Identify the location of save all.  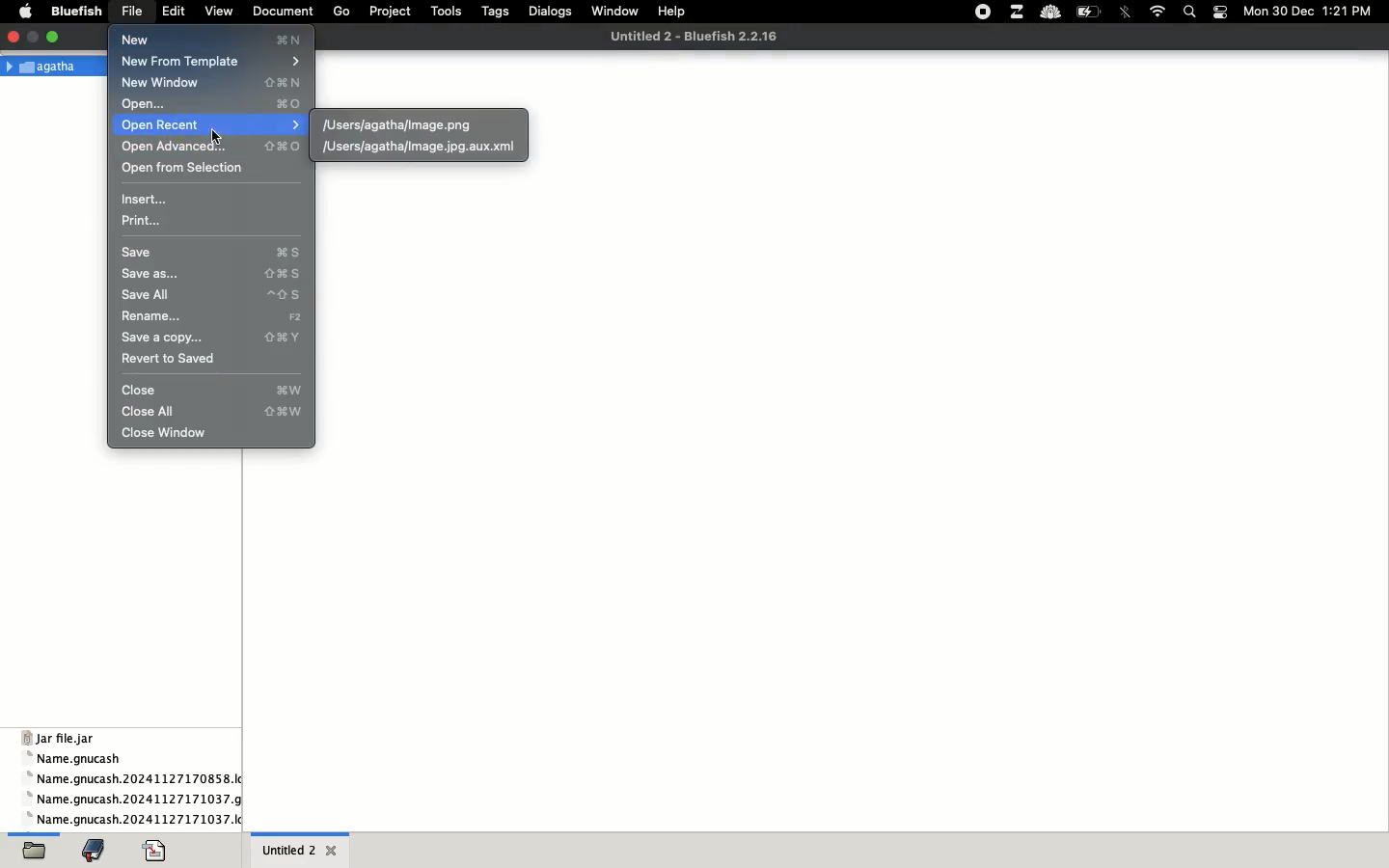
(211, 293).